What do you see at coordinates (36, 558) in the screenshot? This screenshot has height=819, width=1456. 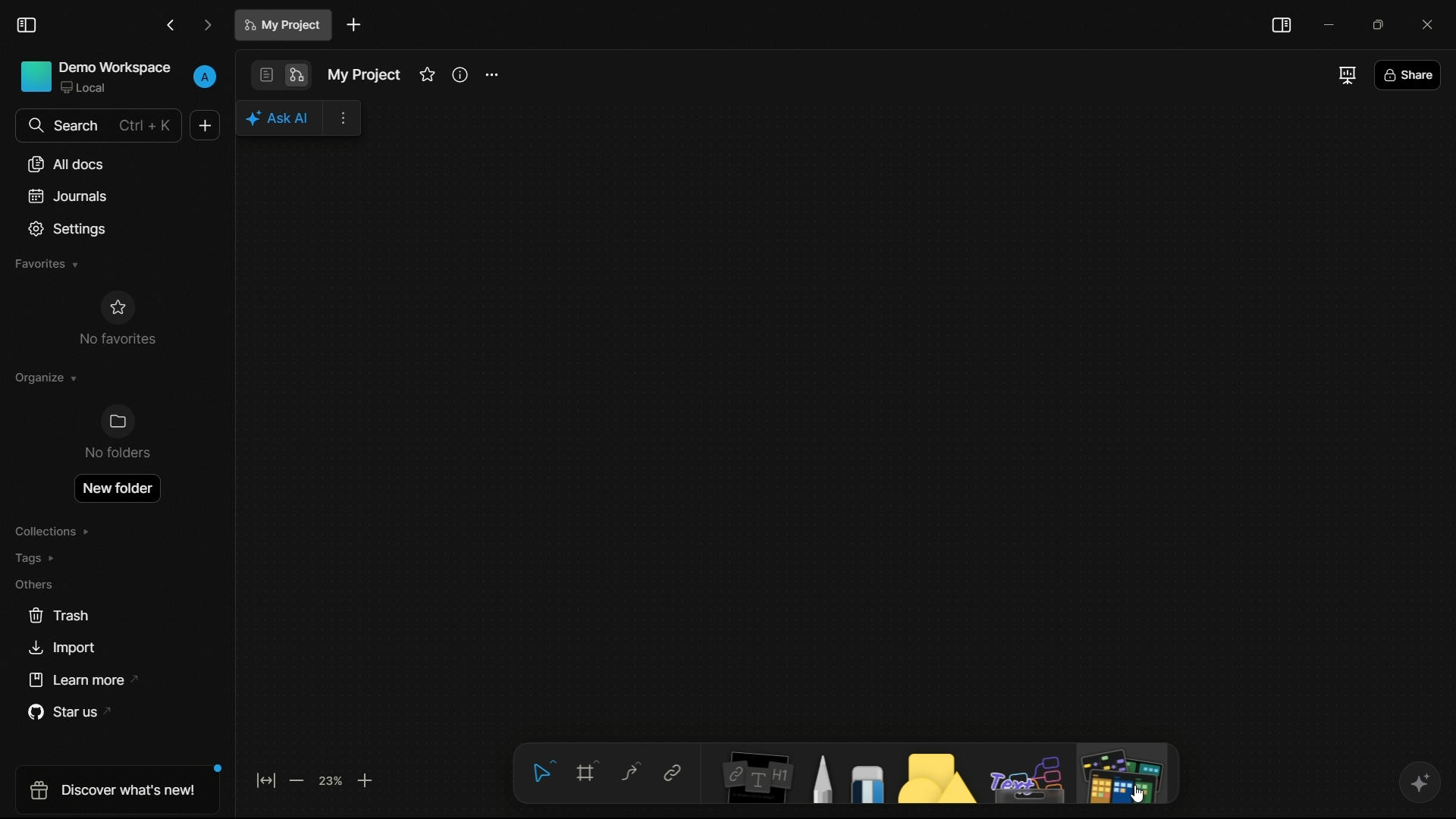 I see `tags` at bounding box center [36, 558].